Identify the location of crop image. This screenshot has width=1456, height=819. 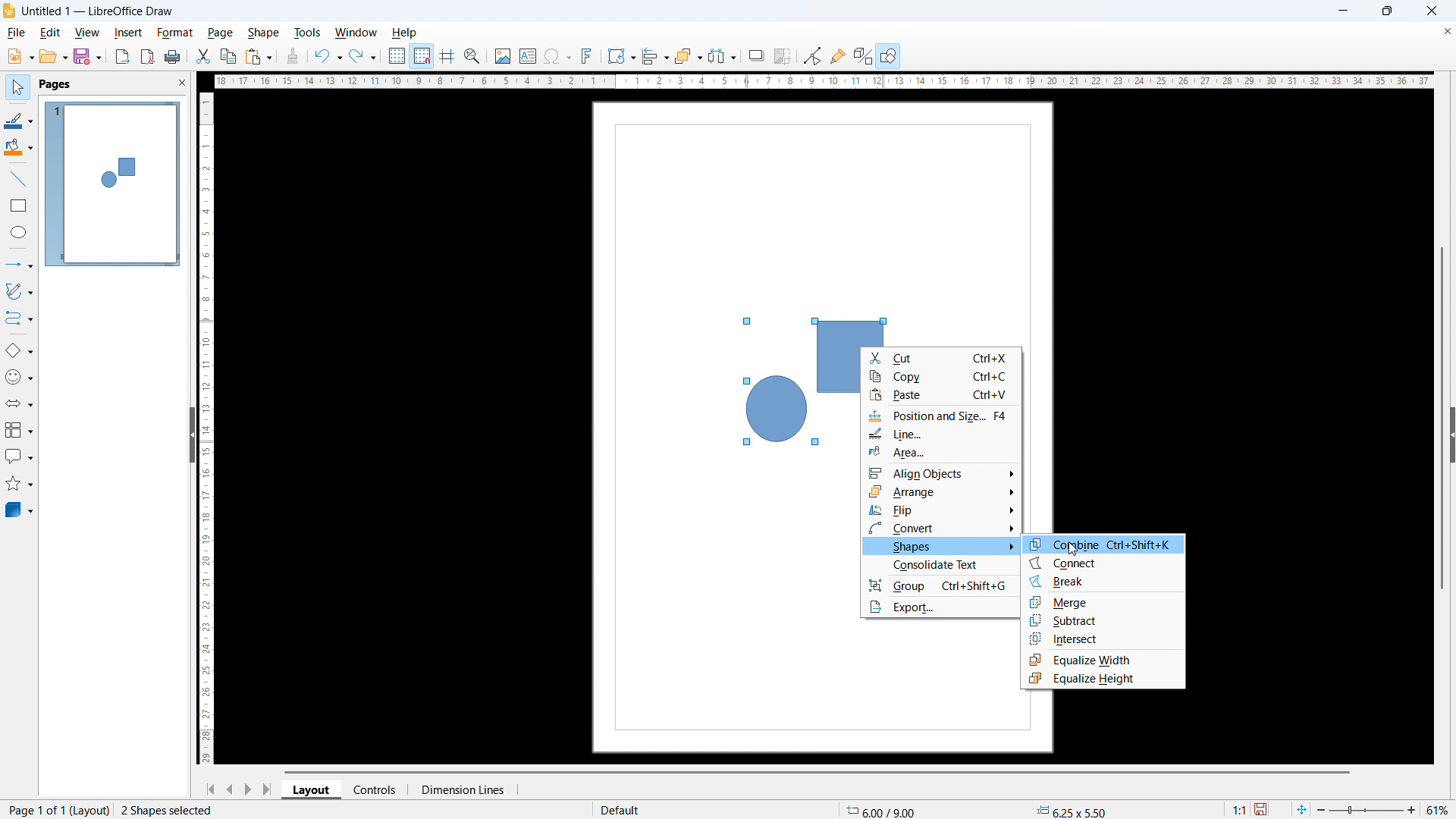
(784, 55).